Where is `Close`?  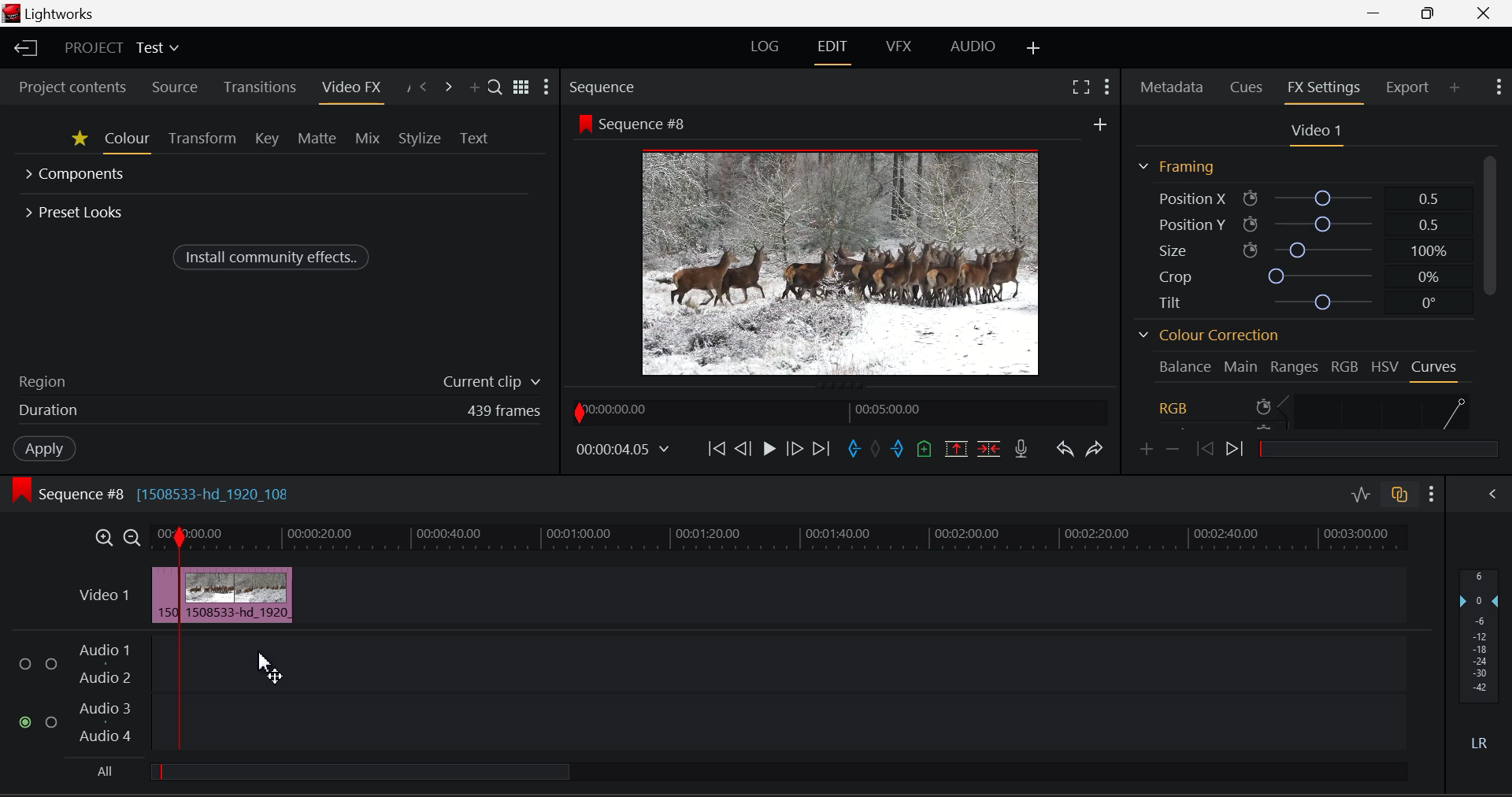 Close is located at coordinates (1484, 13).